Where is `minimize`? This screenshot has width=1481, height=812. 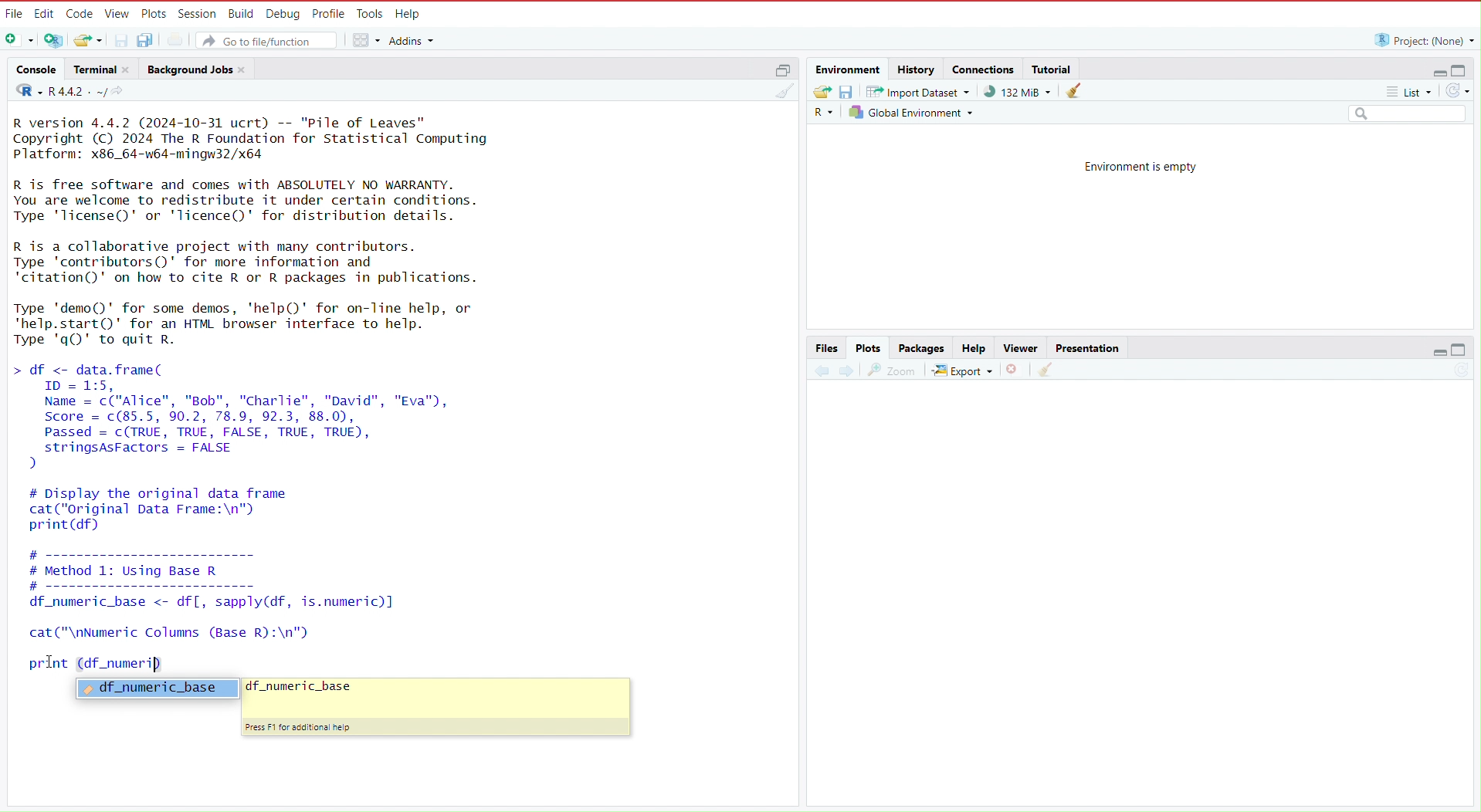 minimize is located at coordinates (1438, 350).